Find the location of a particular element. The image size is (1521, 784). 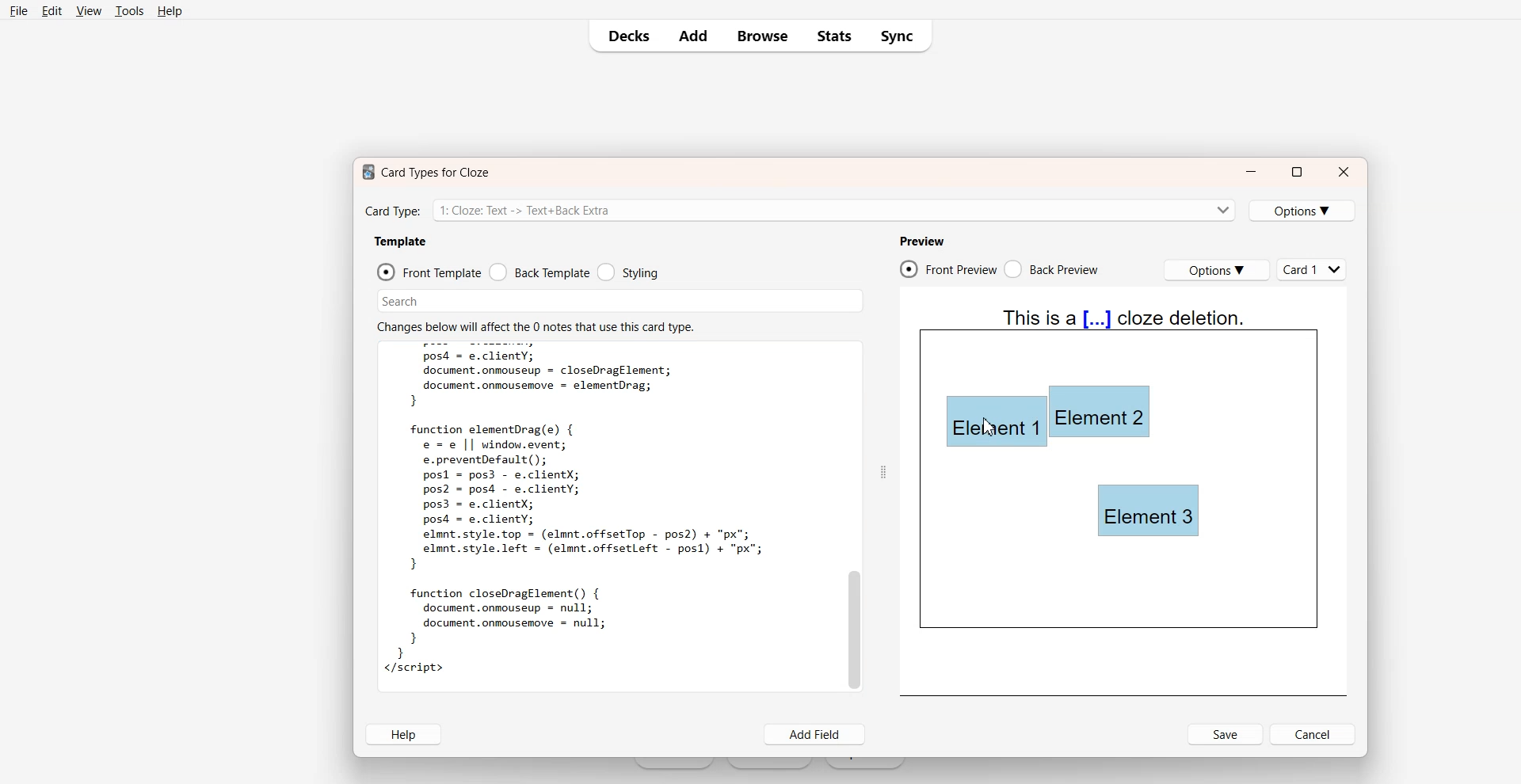

cursors is located at coordinates (986, 426).